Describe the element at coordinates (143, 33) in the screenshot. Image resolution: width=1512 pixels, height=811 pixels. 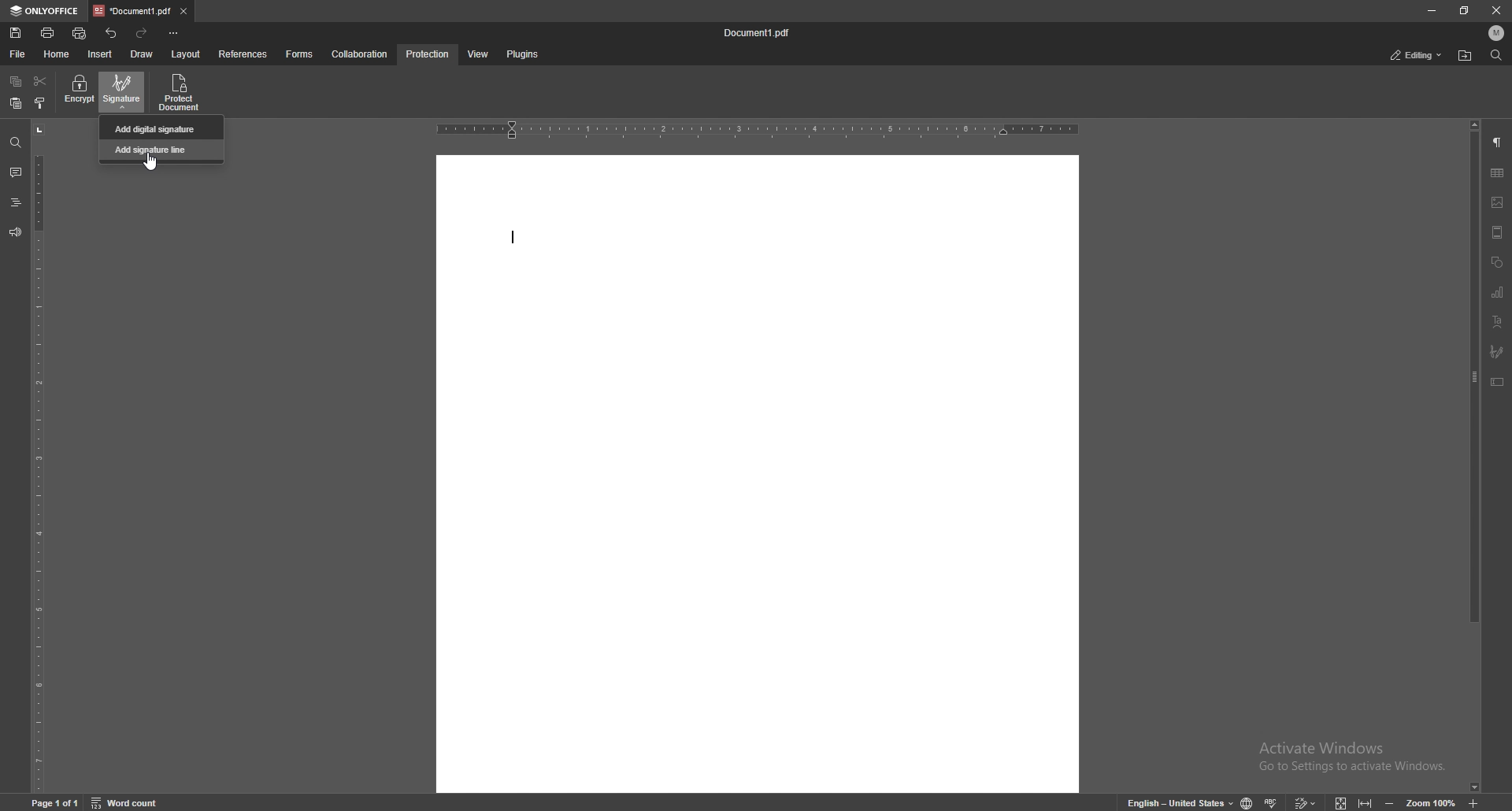
I see `redo` at that location.